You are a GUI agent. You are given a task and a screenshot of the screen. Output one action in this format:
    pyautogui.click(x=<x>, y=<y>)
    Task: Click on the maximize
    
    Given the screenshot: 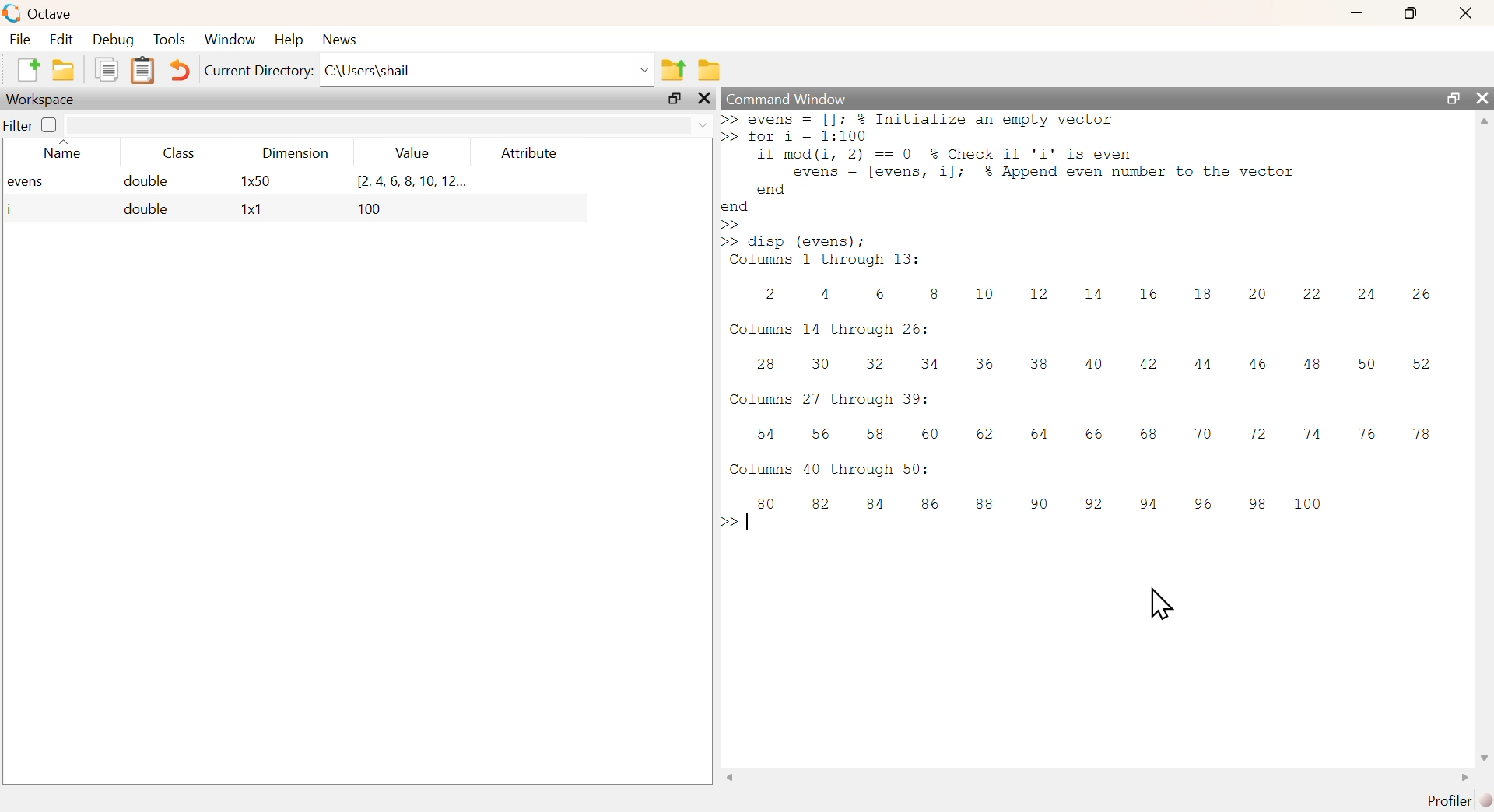 What is the action you would take?
    pyautogui.click(x=1408, y=13)
    